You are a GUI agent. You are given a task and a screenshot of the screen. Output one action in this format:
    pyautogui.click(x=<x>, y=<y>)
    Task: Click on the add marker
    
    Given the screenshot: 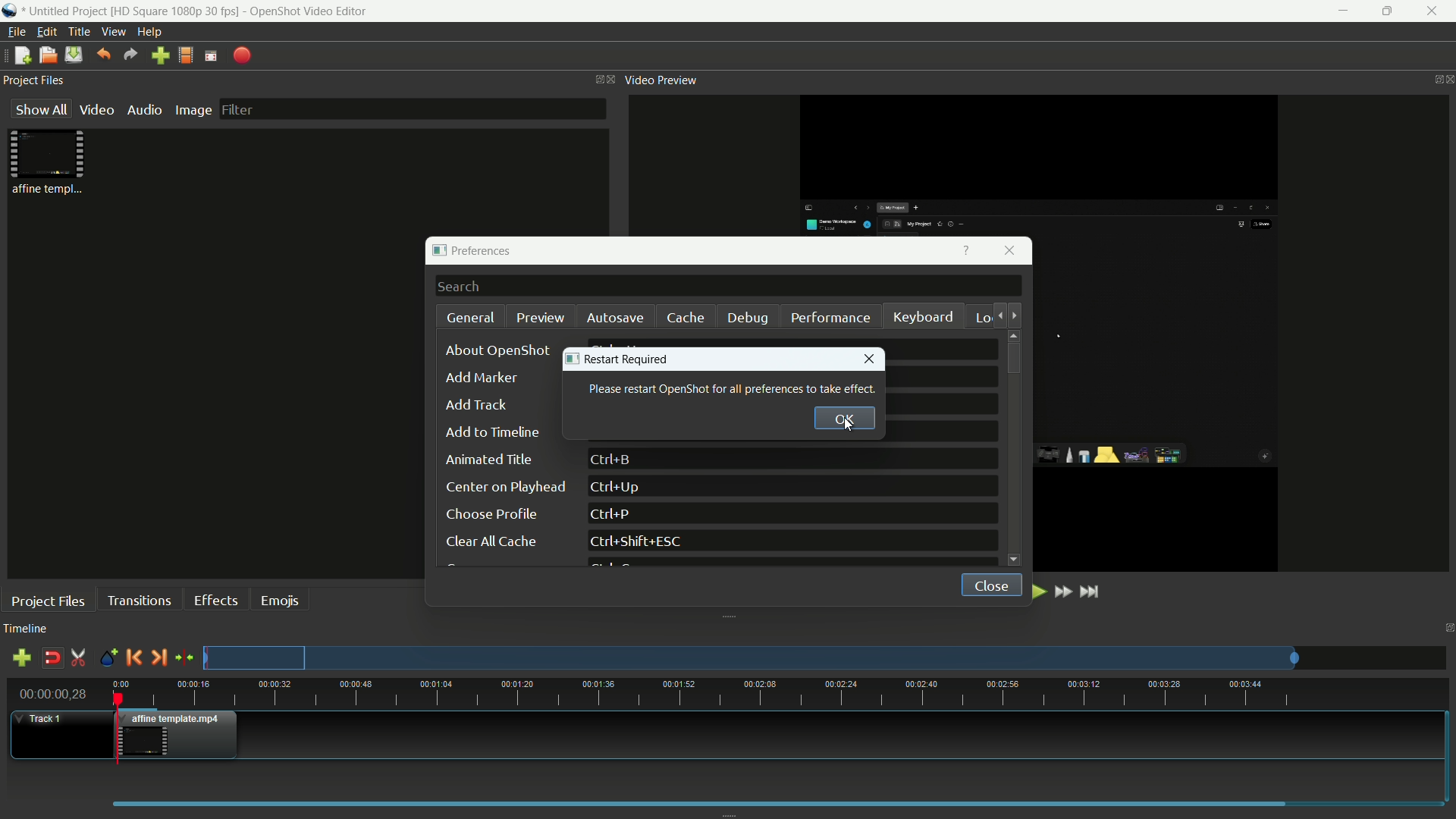 What is the action you would take?
    pyautogui.click(x=480, y=379)
    